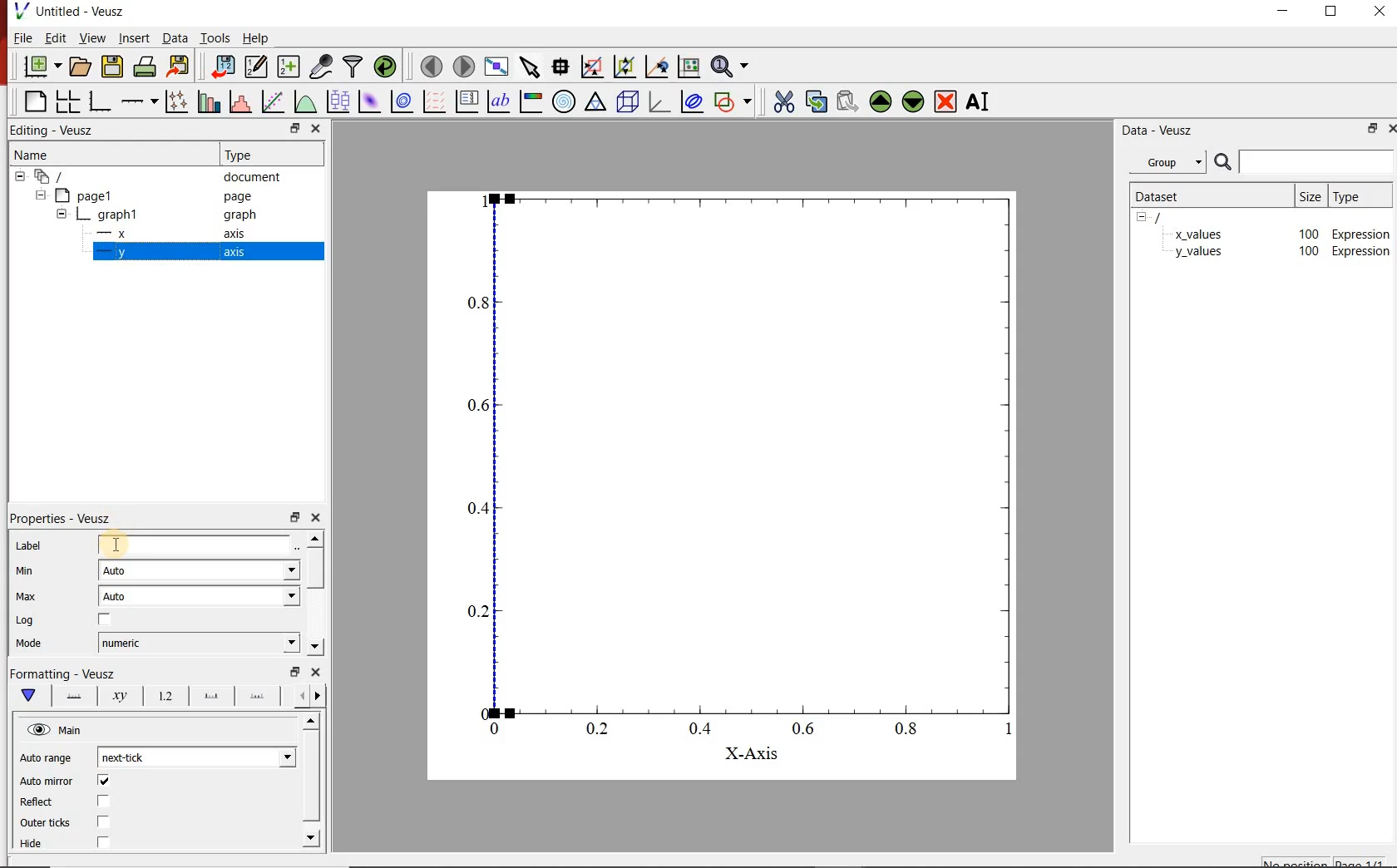 The width and height of the screenshot is (1397, 868). What do you see at coordinates (688, 67) in the screenshot?
I see `click to reset graph axes` at bounding box center [688, 67].